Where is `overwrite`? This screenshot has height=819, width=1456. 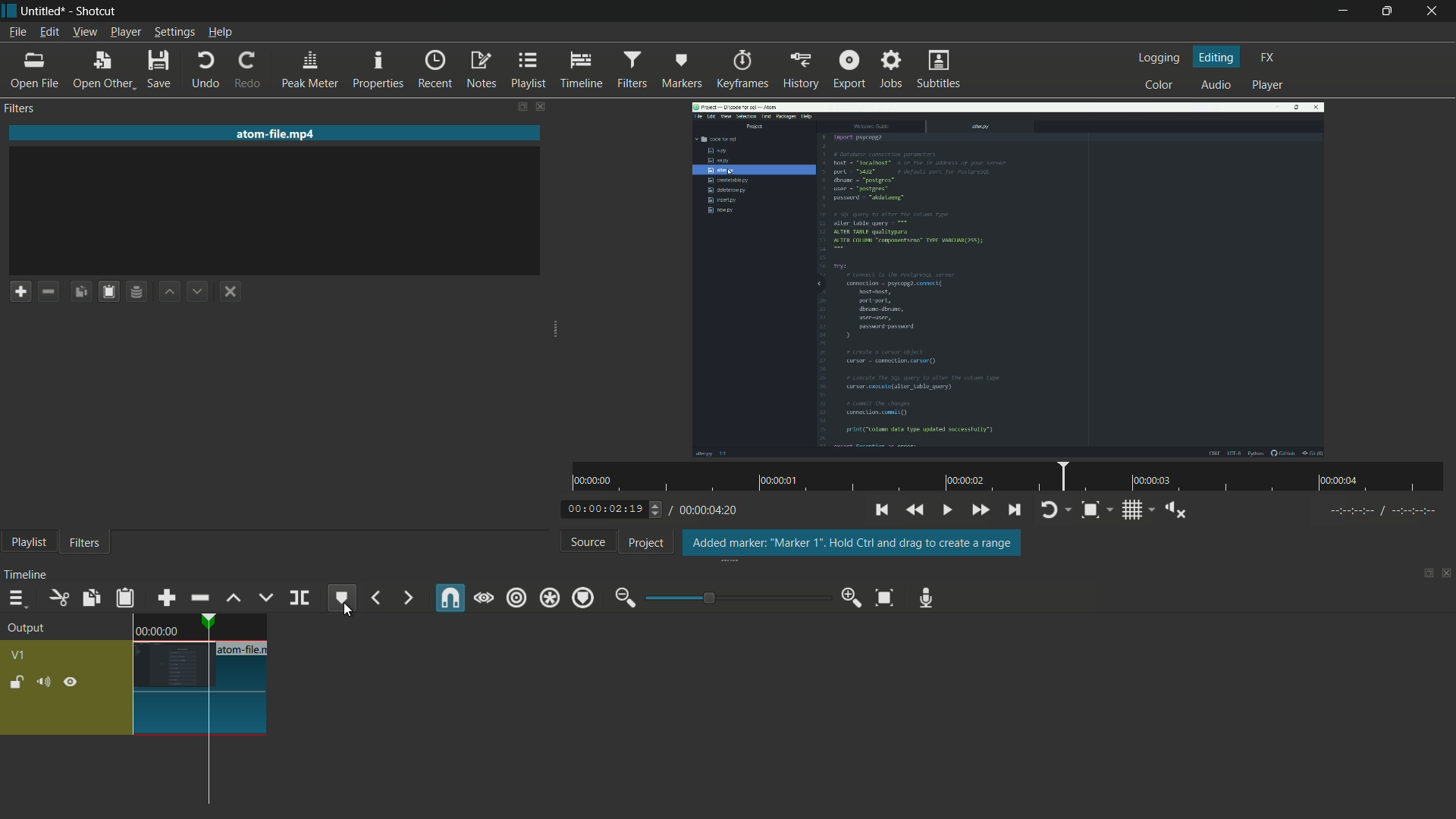 overwrite is located at coordinates (265, 598).